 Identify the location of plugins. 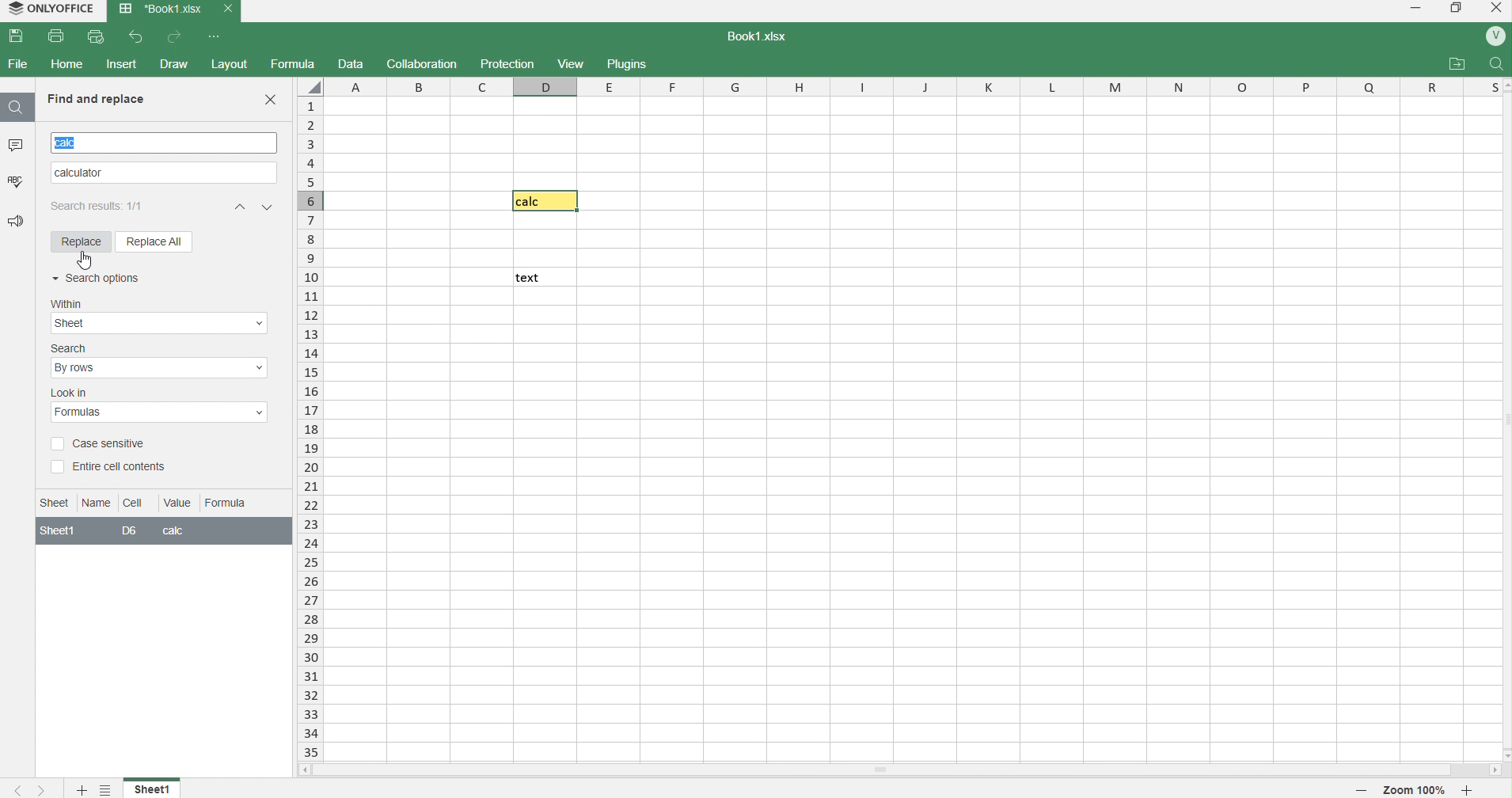
(633, 65).